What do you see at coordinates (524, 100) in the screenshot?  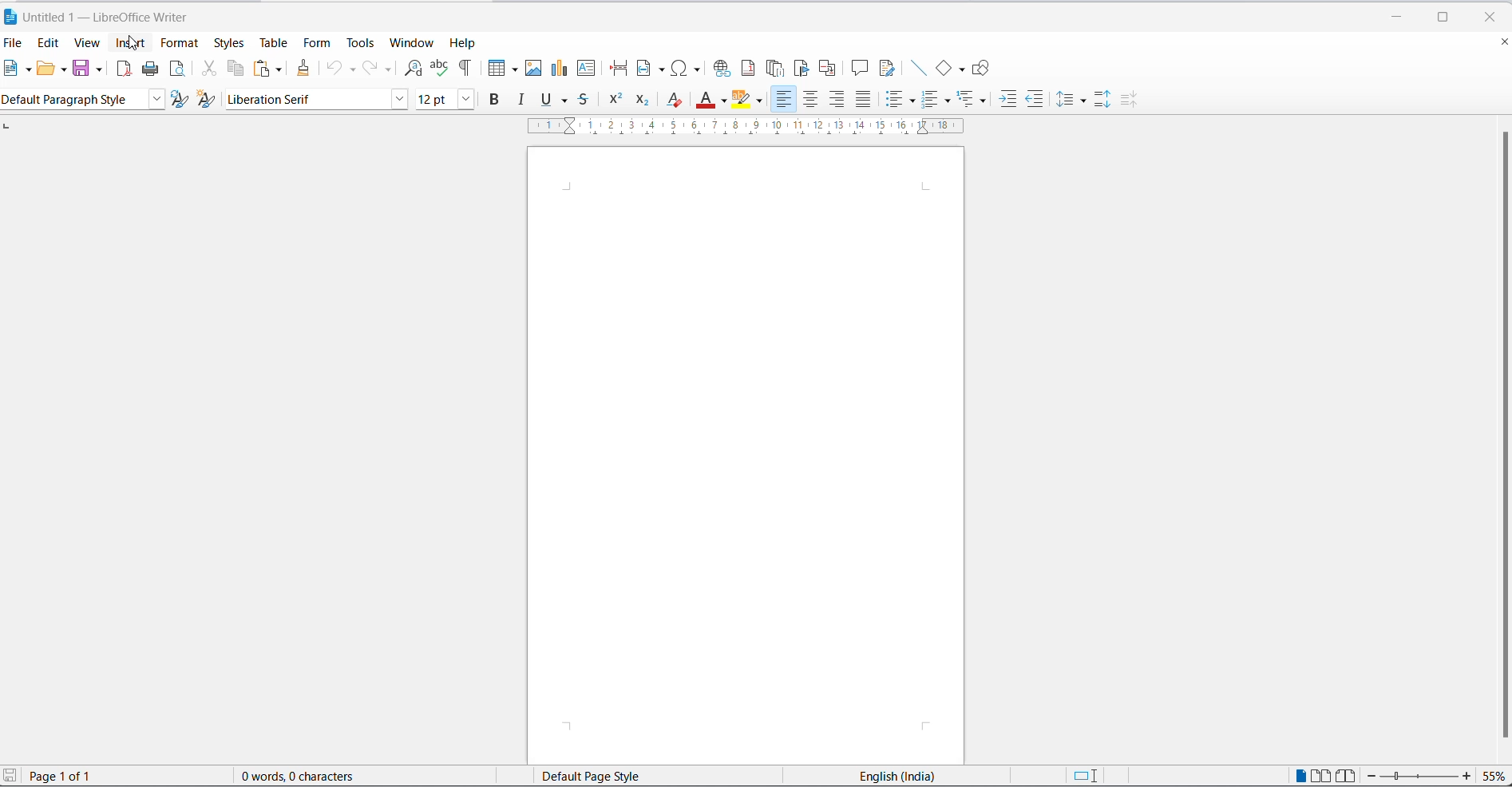 I see `italic` at bounding box center [524, 100].